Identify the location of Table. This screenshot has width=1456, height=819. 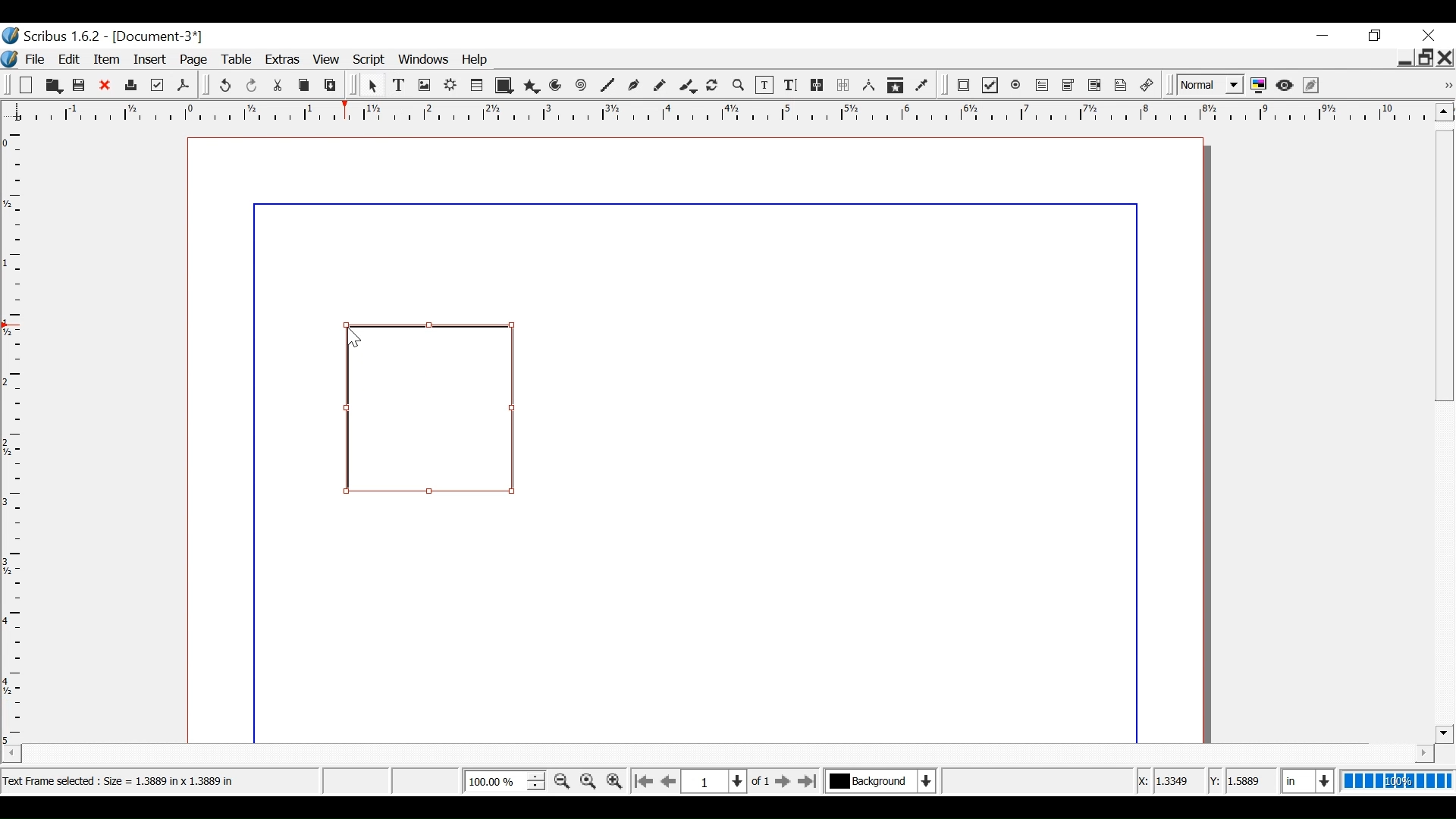
(479, 86).